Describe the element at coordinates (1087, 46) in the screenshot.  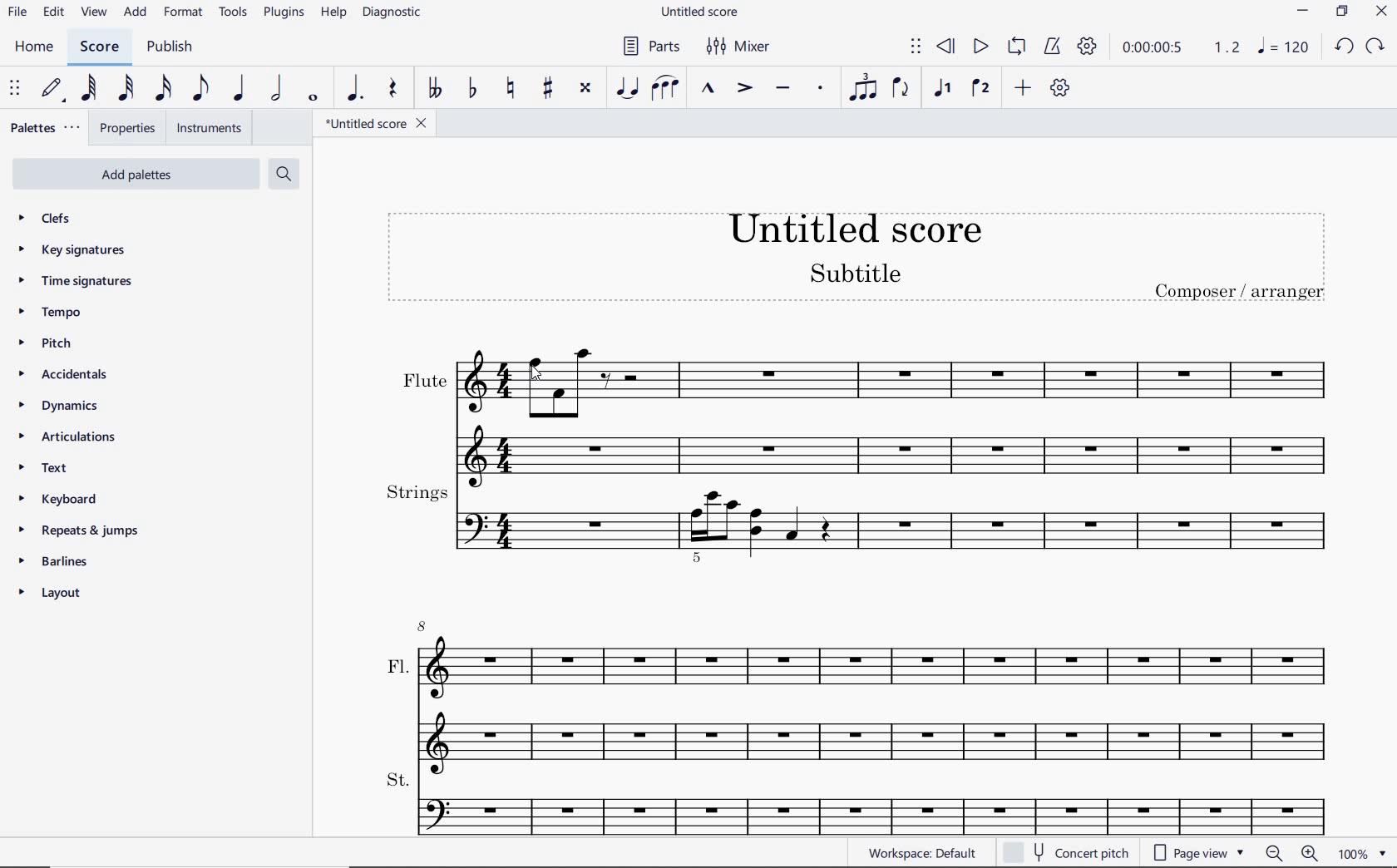
I see `PLAYBACK SETTINGS` at that location.